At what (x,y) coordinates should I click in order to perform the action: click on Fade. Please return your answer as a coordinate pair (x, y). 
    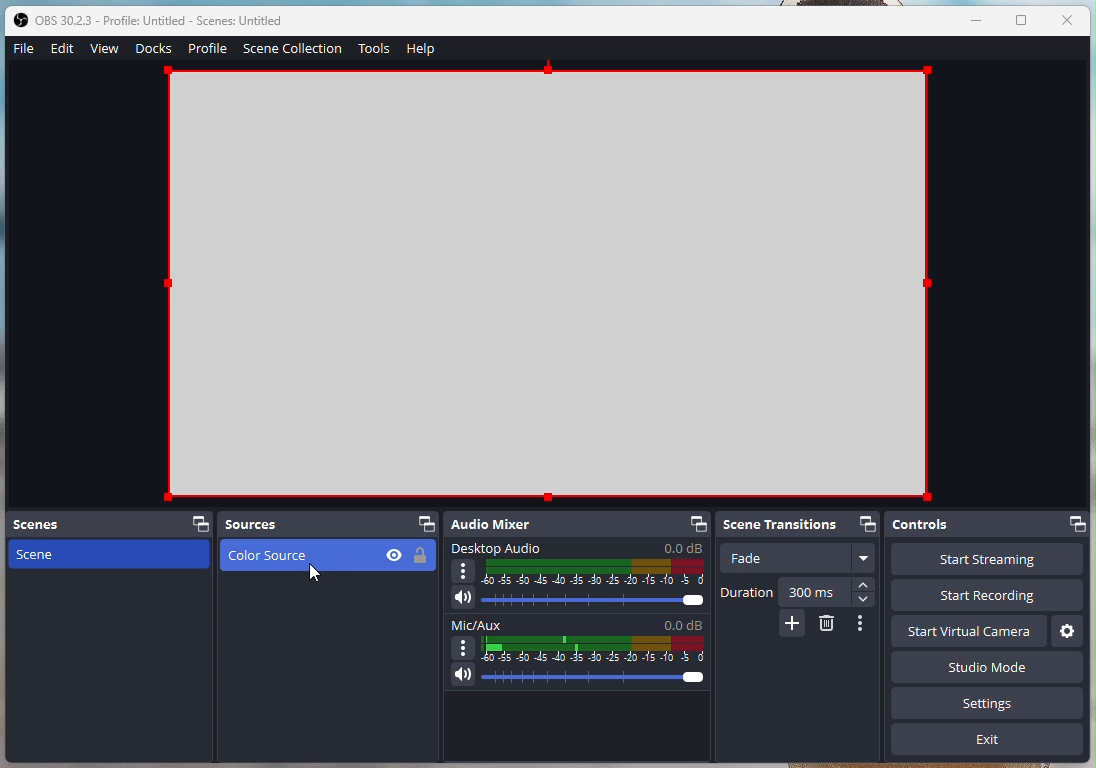
    Looking at the image, I should click on (798, 560).